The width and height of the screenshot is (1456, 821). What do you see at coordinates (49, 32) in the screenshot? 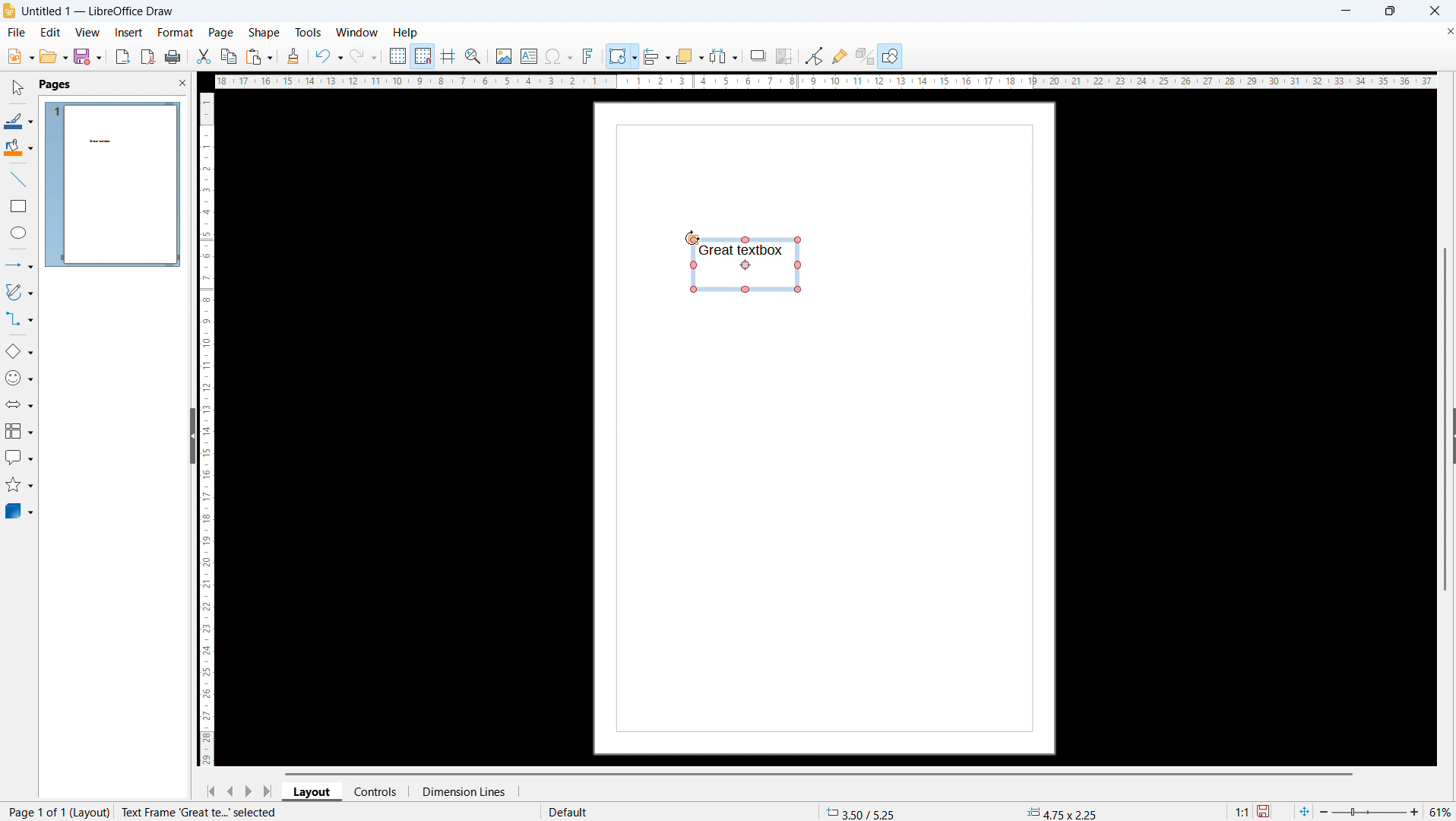
I see `edit` at bounding box center [49, 32].